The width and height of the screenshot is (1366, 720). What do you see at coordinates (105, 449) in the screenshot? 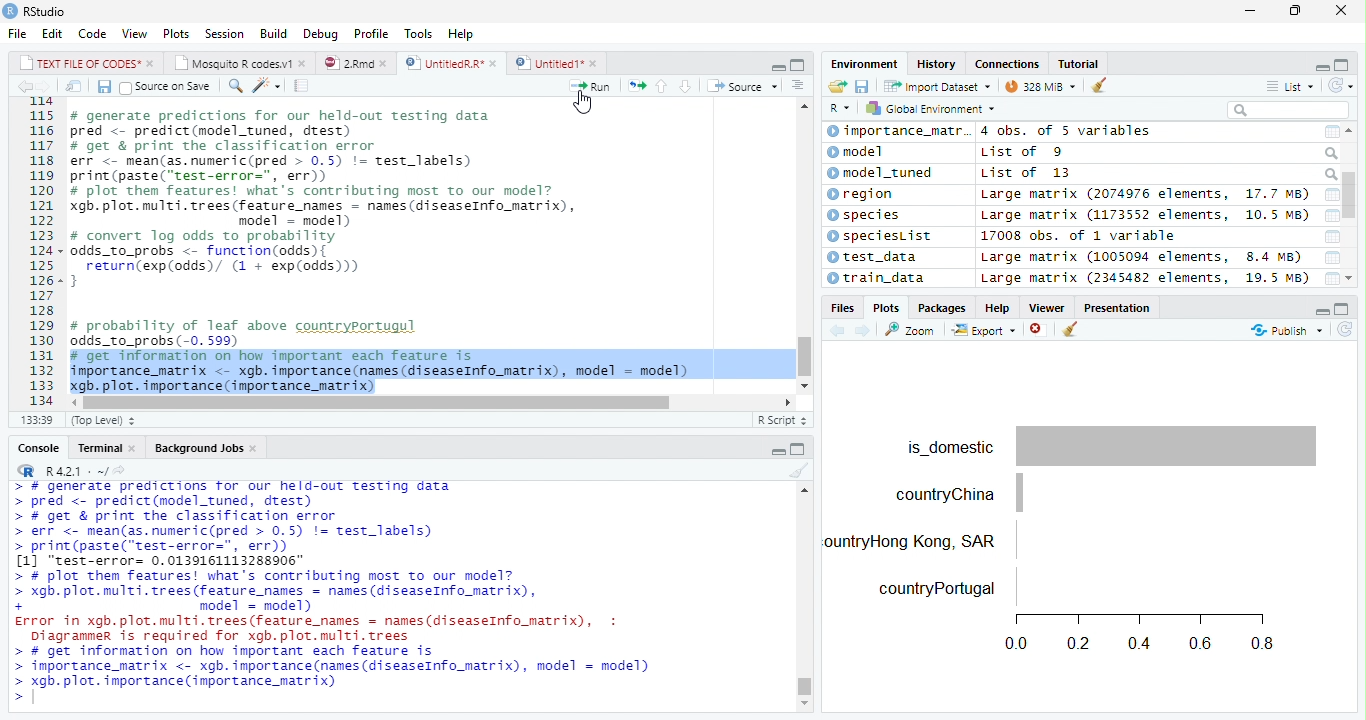
I see `Terminal` at bounding box center [105, 449].